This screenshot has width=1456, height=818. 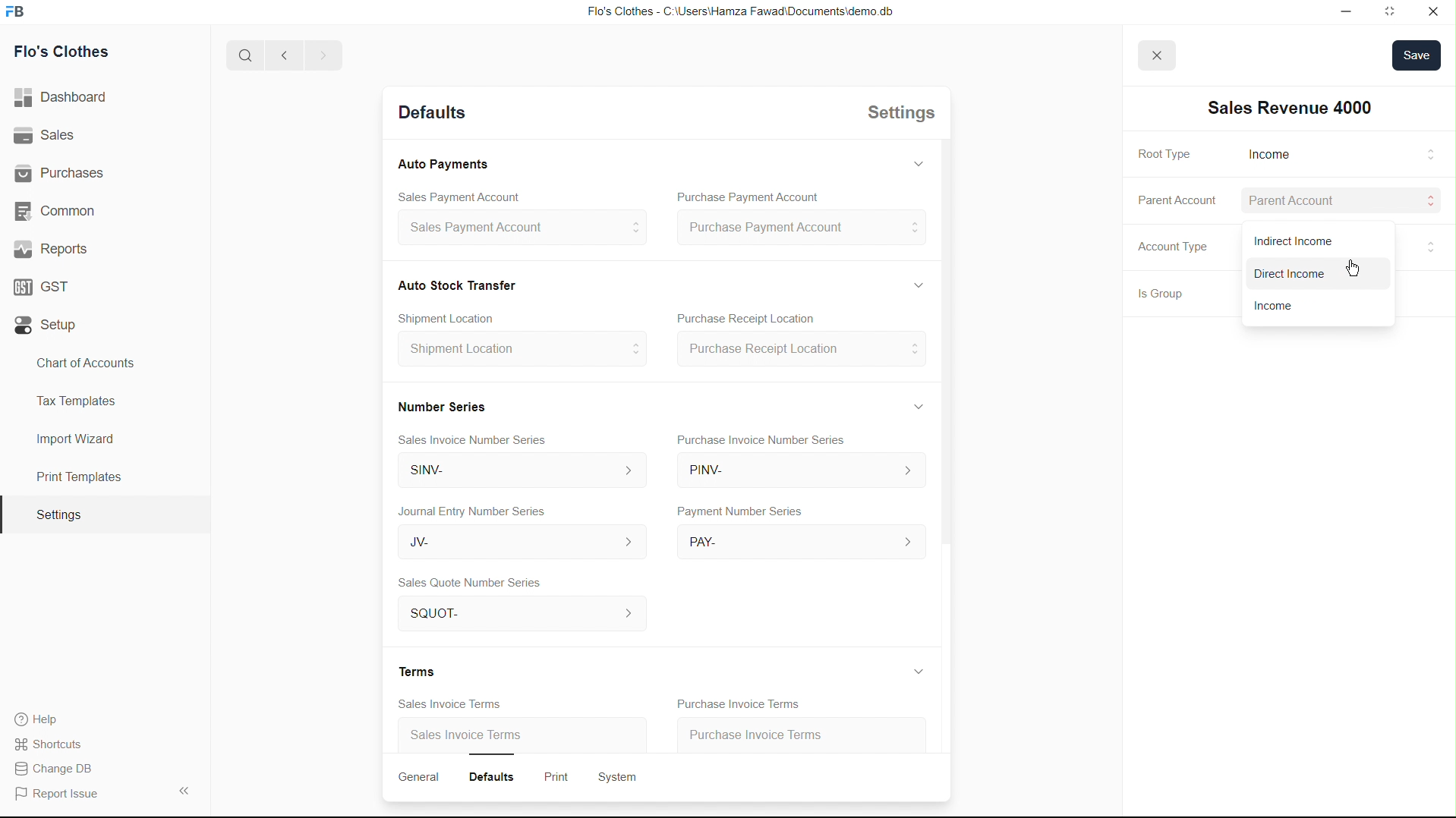 What do you see at coordinates (478, 437) in the screenshot?
I see `Sales Invoice Number Series` at bounding box center [478, 437].